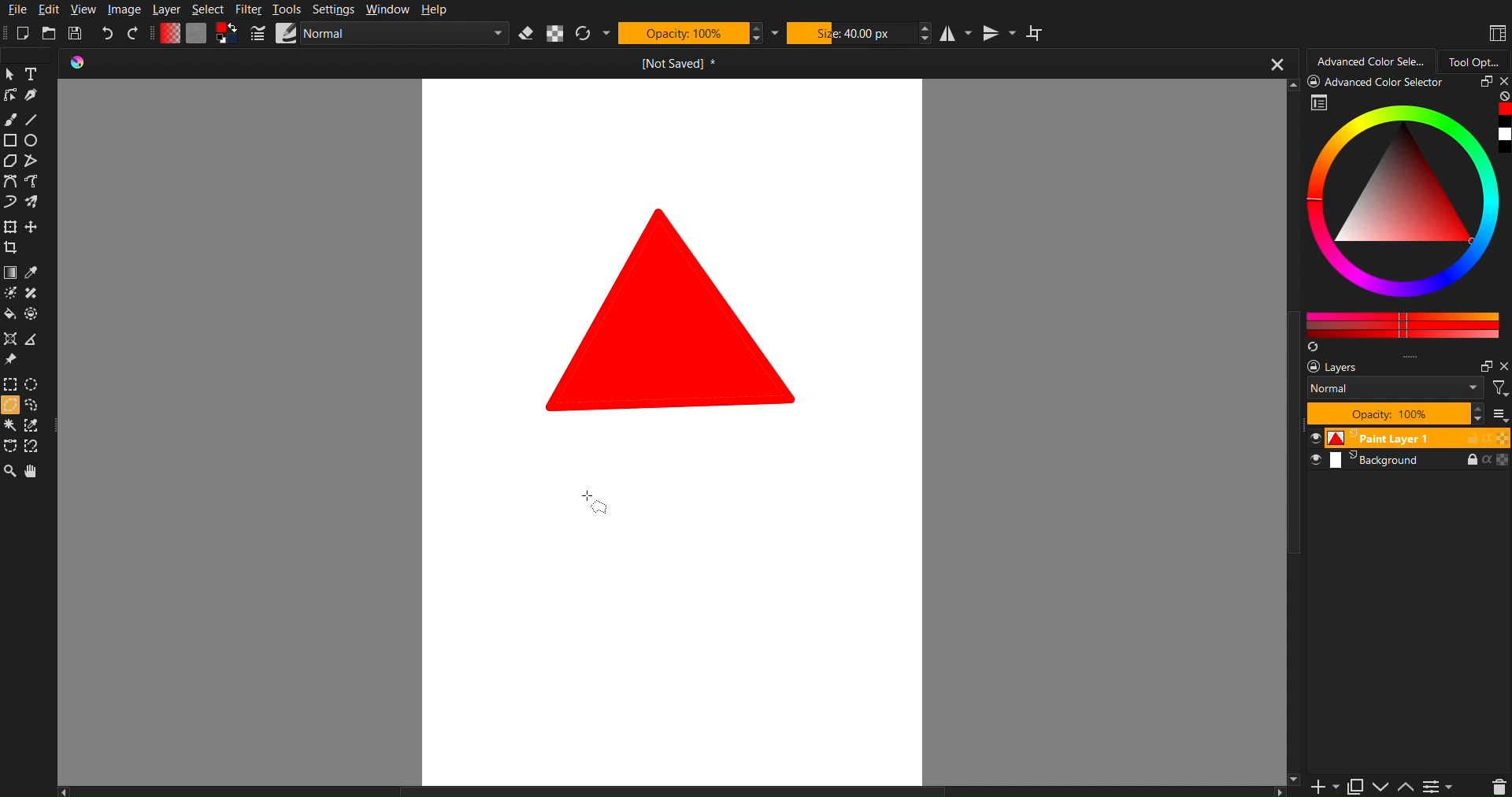 Image resolution: width=1512 pixels, height=797 pixels. I want to click on Polygon, so click(9, 161).